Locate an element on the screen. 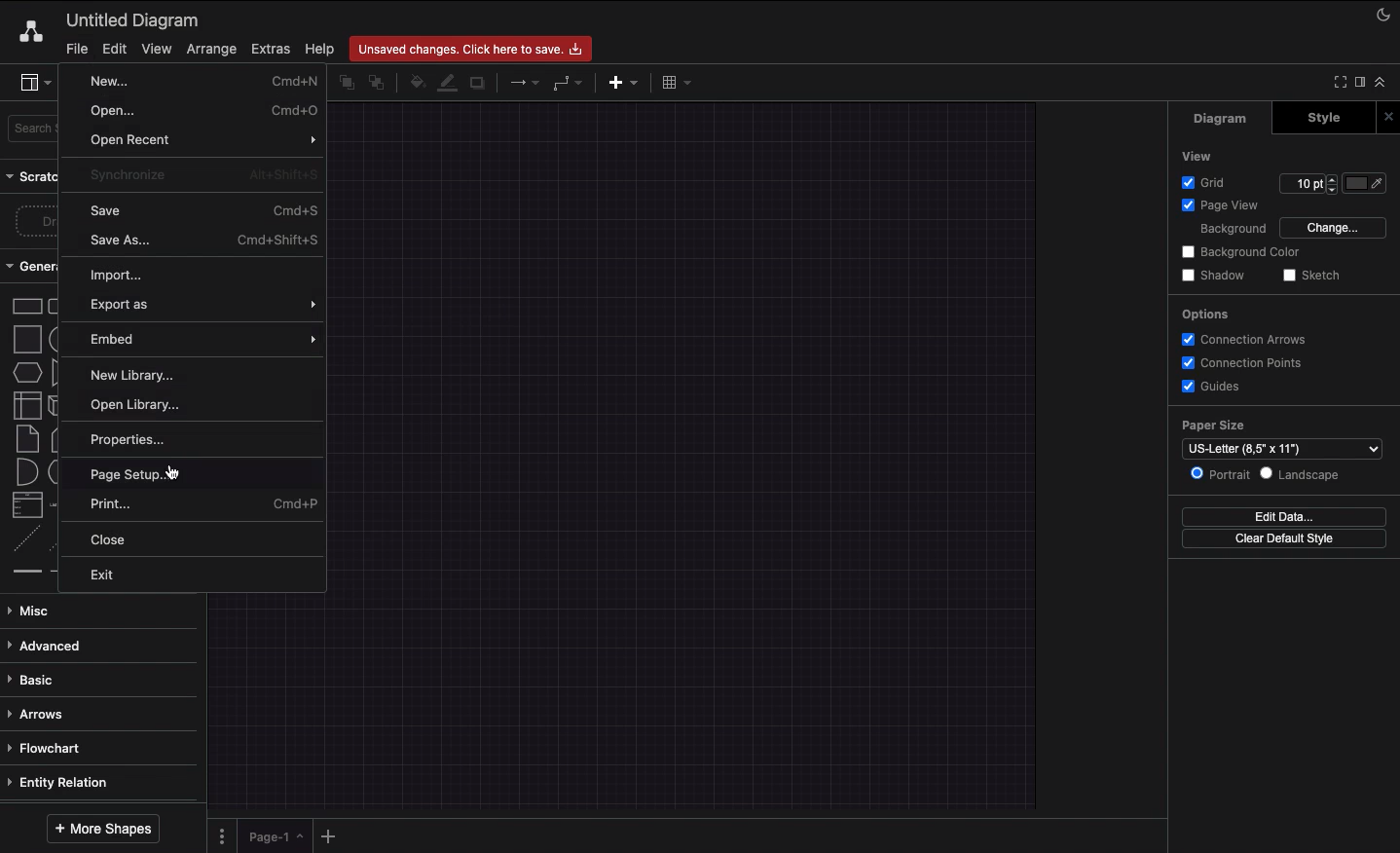 The height and width of the screenshot is (853, 1400). Waypoints is located at coordinates (569, 85).